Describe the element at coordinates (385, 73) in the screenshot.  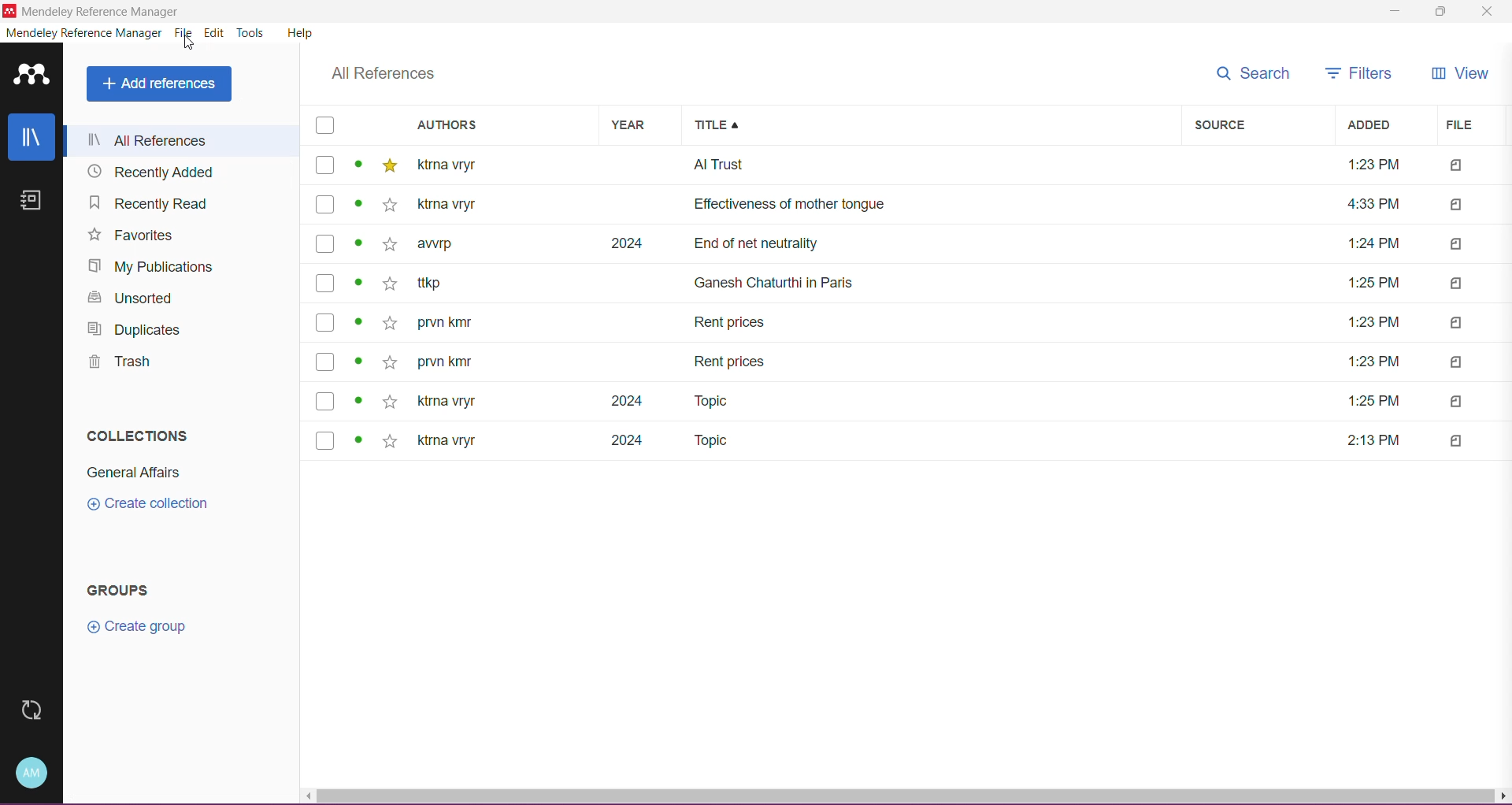
I see `All References` at that location.